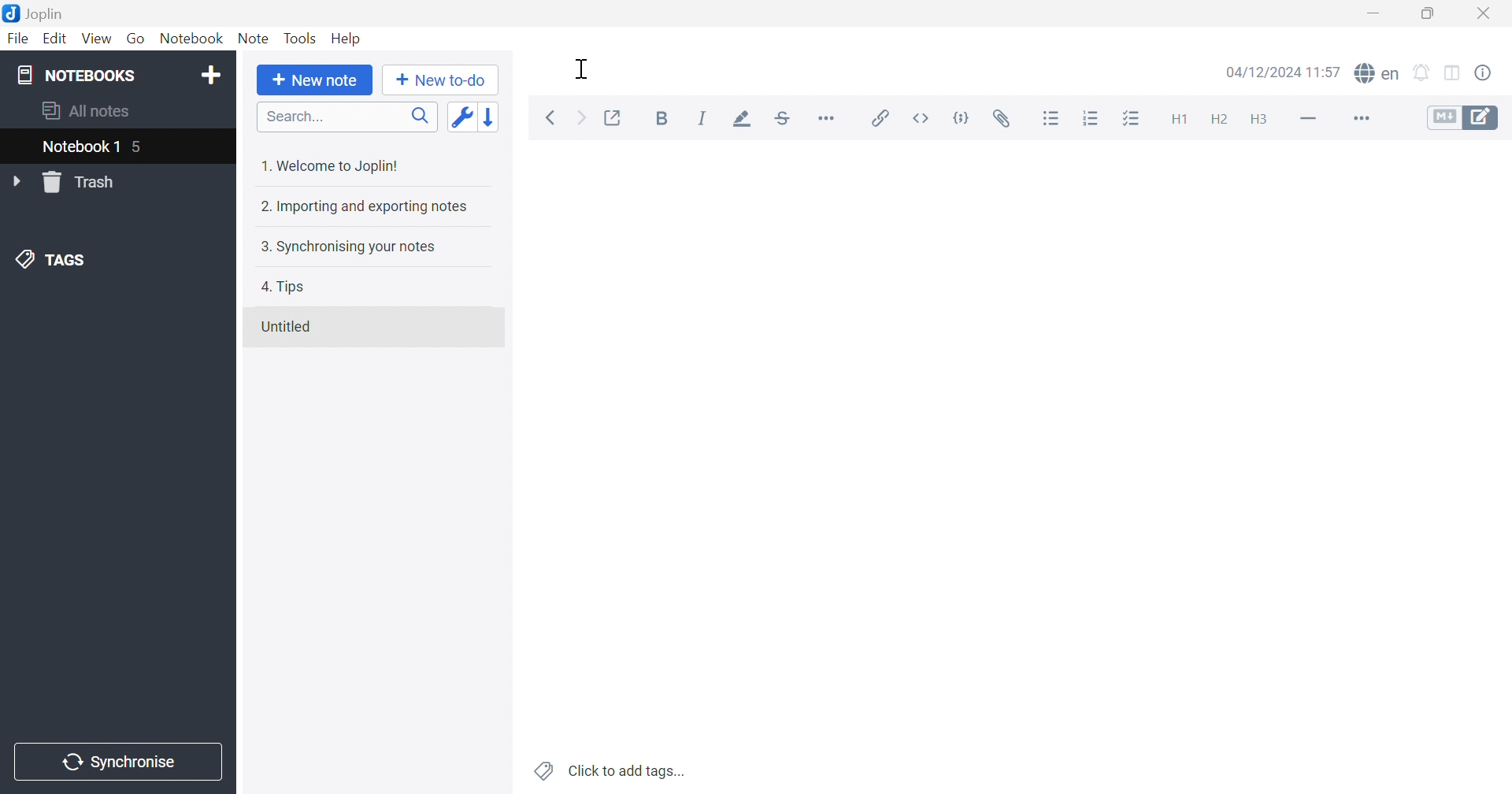 This screenshot has height=794, width=1512. I want to click on 4. Tips, so click(287, 287).